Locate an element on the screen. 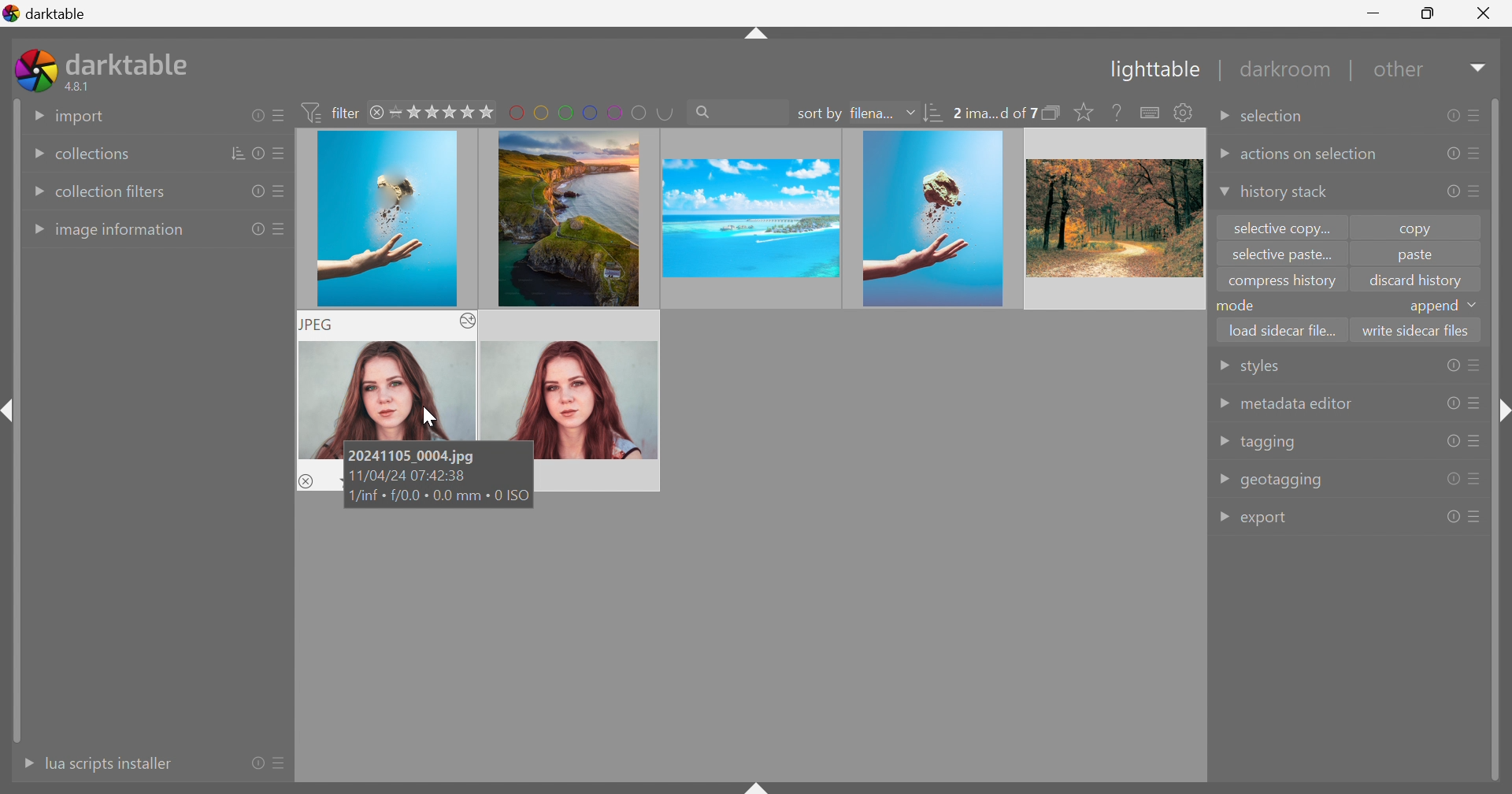  import is located at coordinates (81, 117).